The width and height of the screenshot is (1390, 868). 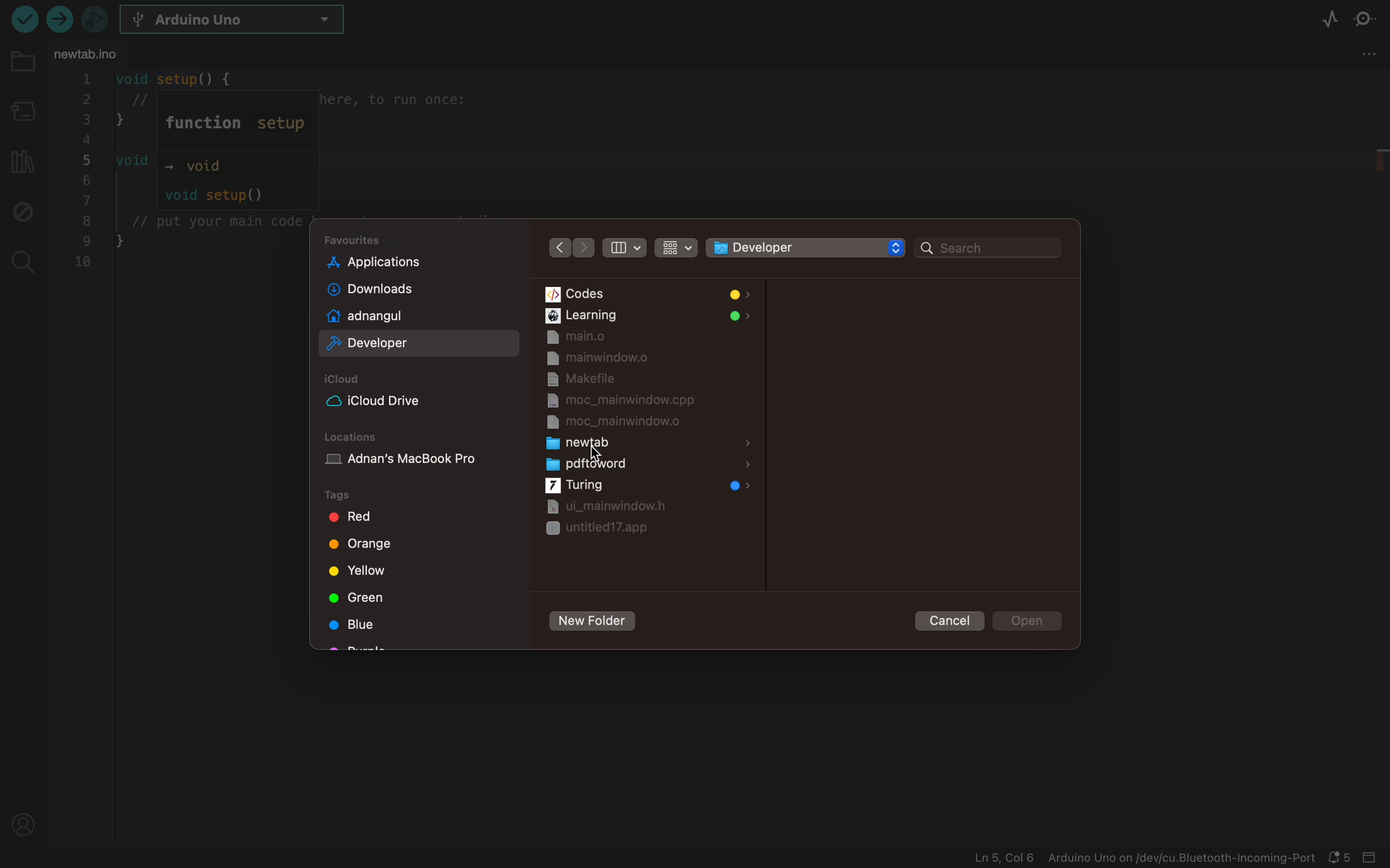 I want to click on developer, so click(x=400, y=346).